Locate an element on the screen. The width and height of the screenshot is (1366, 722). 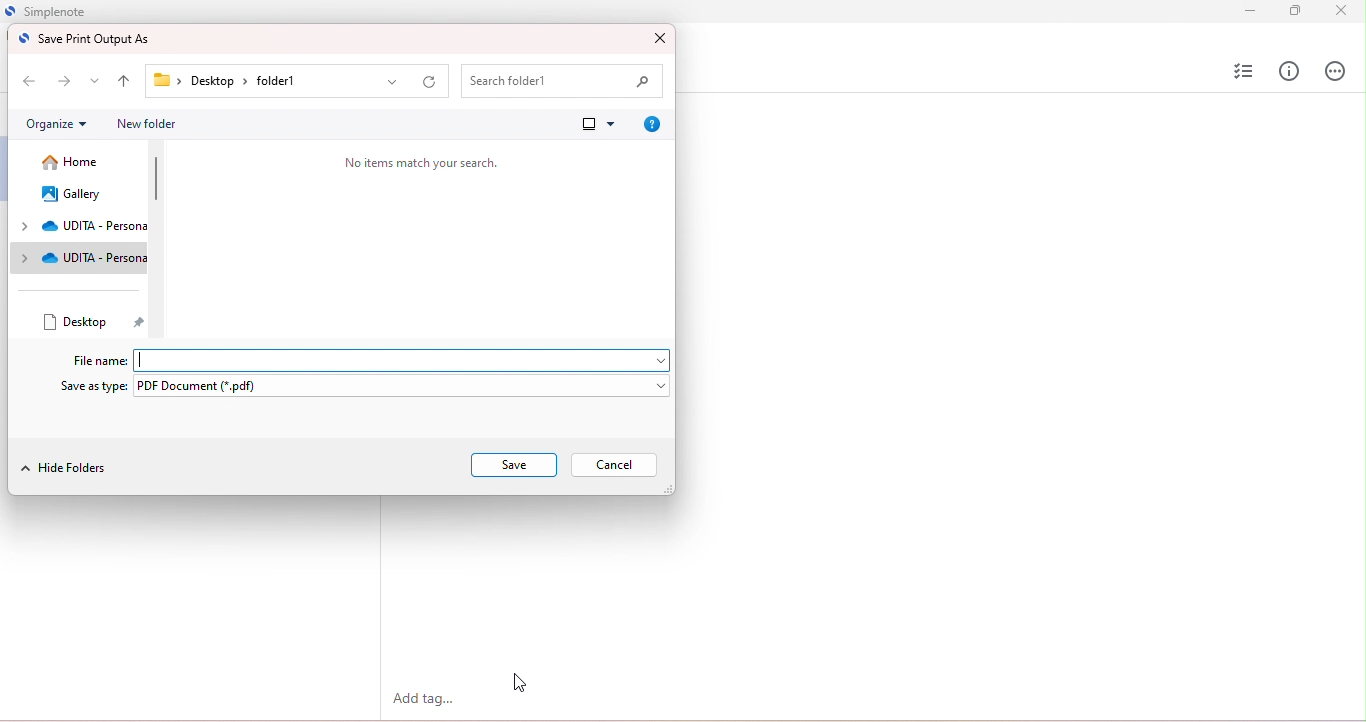
vertical scroll bar is located at coordinates (157, 182).